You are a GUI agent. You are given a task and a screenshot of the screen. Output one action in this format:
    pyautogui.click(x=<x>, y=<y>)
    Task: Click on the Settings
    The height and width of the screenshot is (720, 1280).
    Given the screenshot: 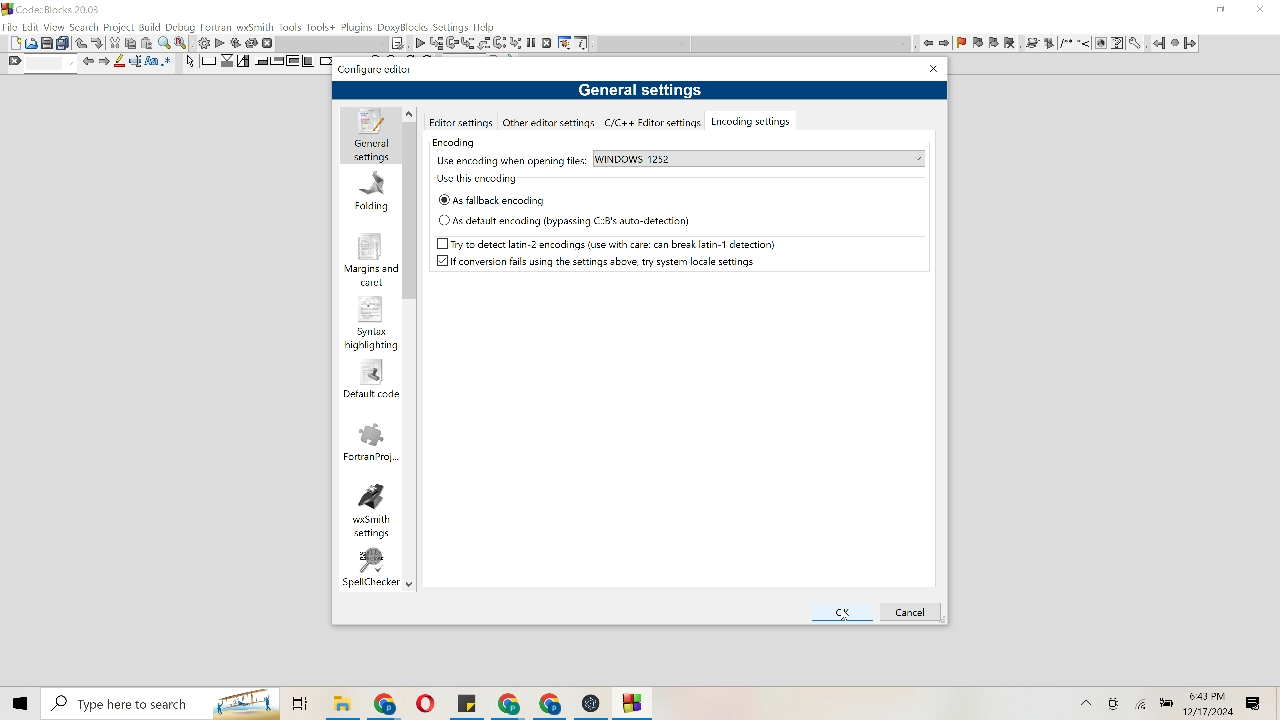 What is the action you would take?
    pyautogui.click(x=202, y=43)
    